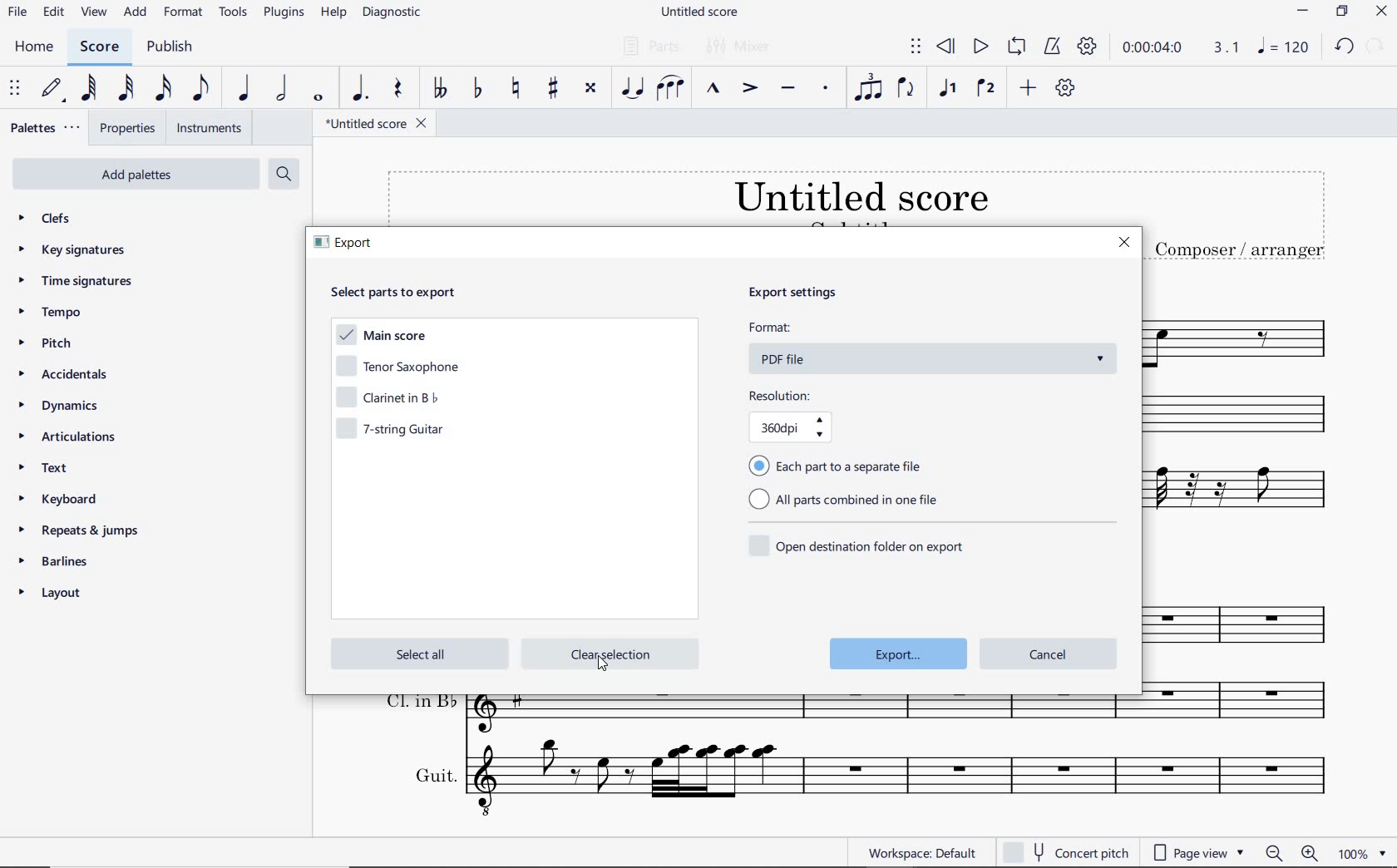 The height and width of the screenshot is (868, 1397). What do you see at coordinates (1248, 497) in the screenshot?
I see `7-string guitar` at bounding box center [1248, 497].